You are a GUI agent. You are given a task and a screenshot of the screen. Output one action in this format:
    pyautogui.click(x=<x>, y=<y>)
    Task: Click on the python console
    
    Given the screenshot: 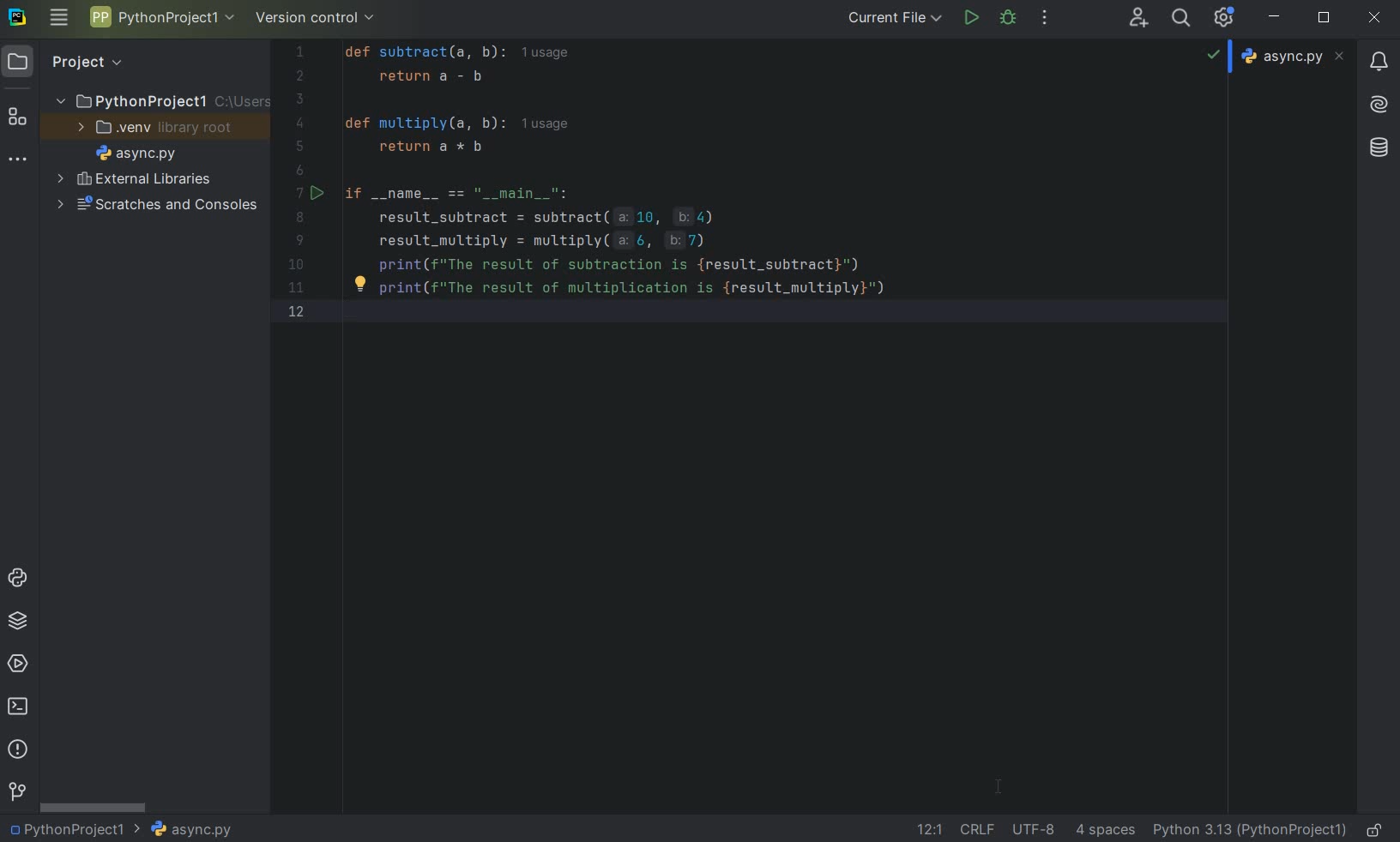 What is the action you would take?
    pyautogui.click(x=18, y=575)
    